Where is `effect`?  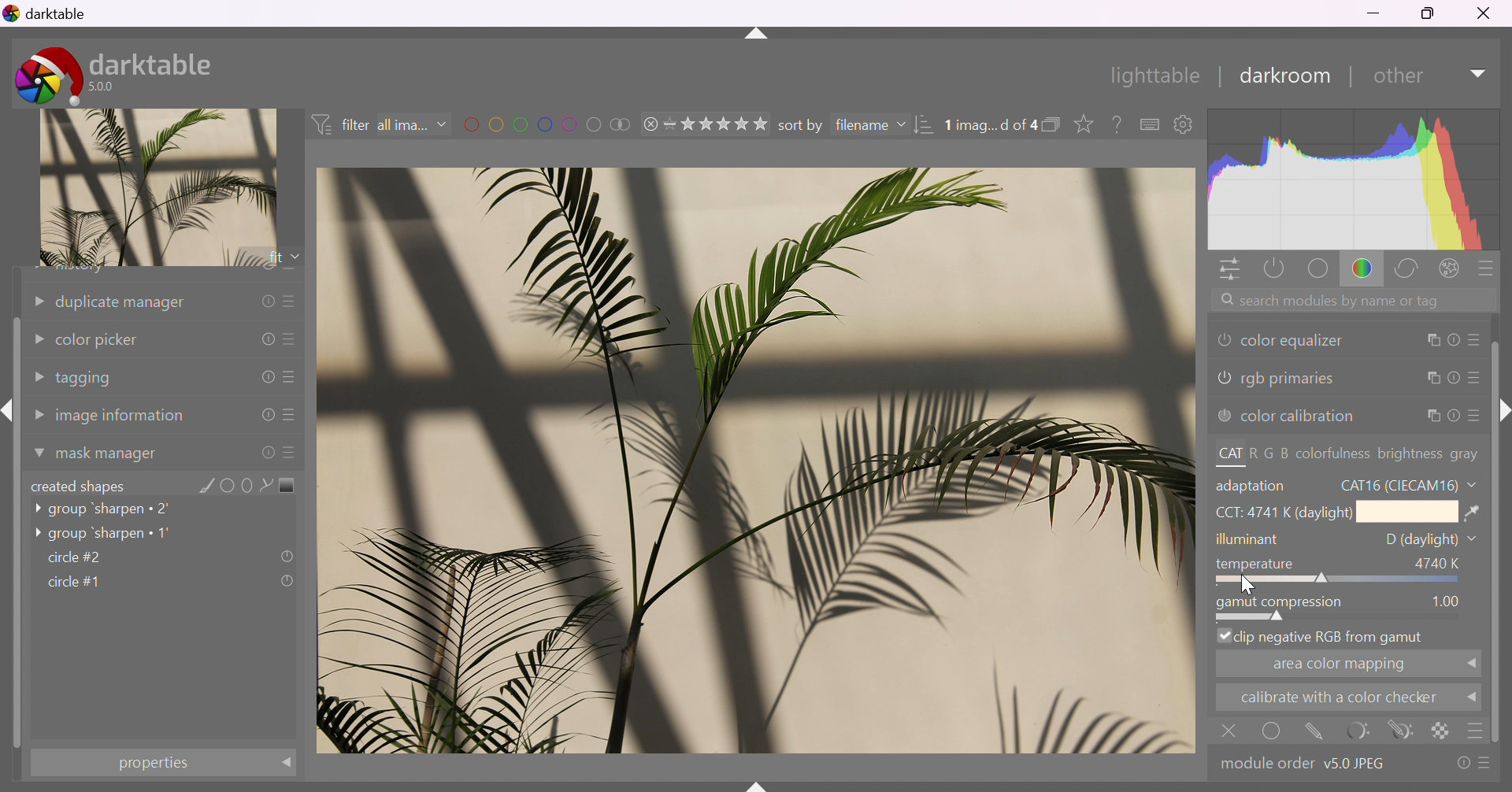
effect is located at coordinates (1451, 268).